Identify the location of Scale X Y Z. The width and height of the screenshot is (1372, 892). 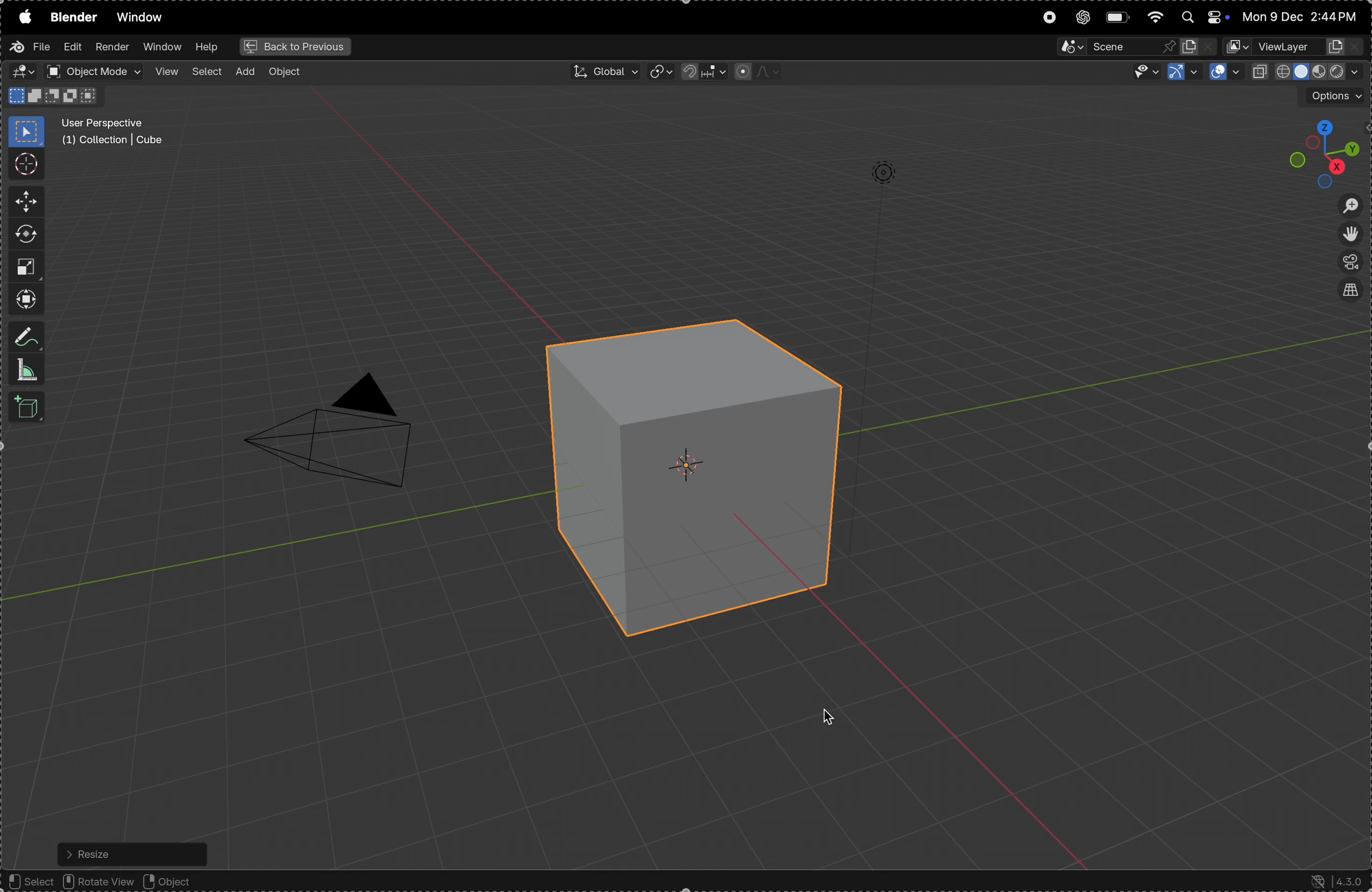
(107, 95).